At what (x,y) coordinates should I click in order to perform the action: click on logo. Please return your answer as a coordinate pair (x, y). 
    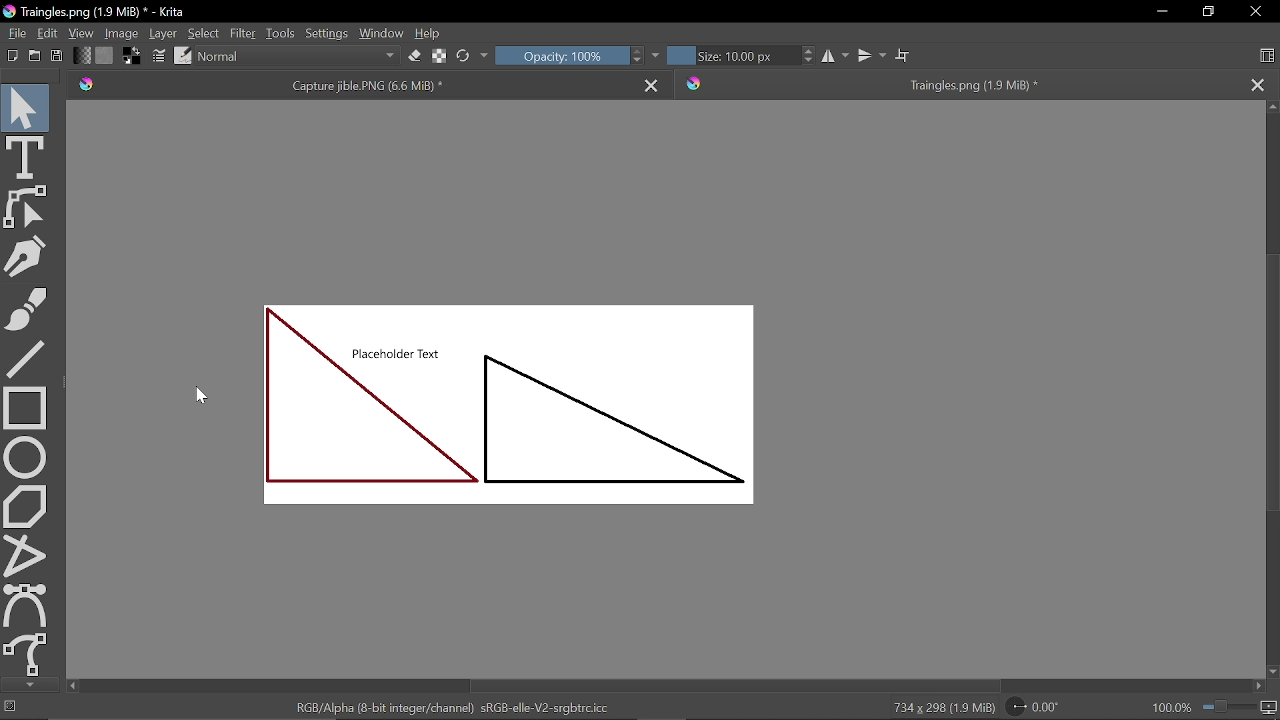
    Looking at the image, I should click on (8, 12).